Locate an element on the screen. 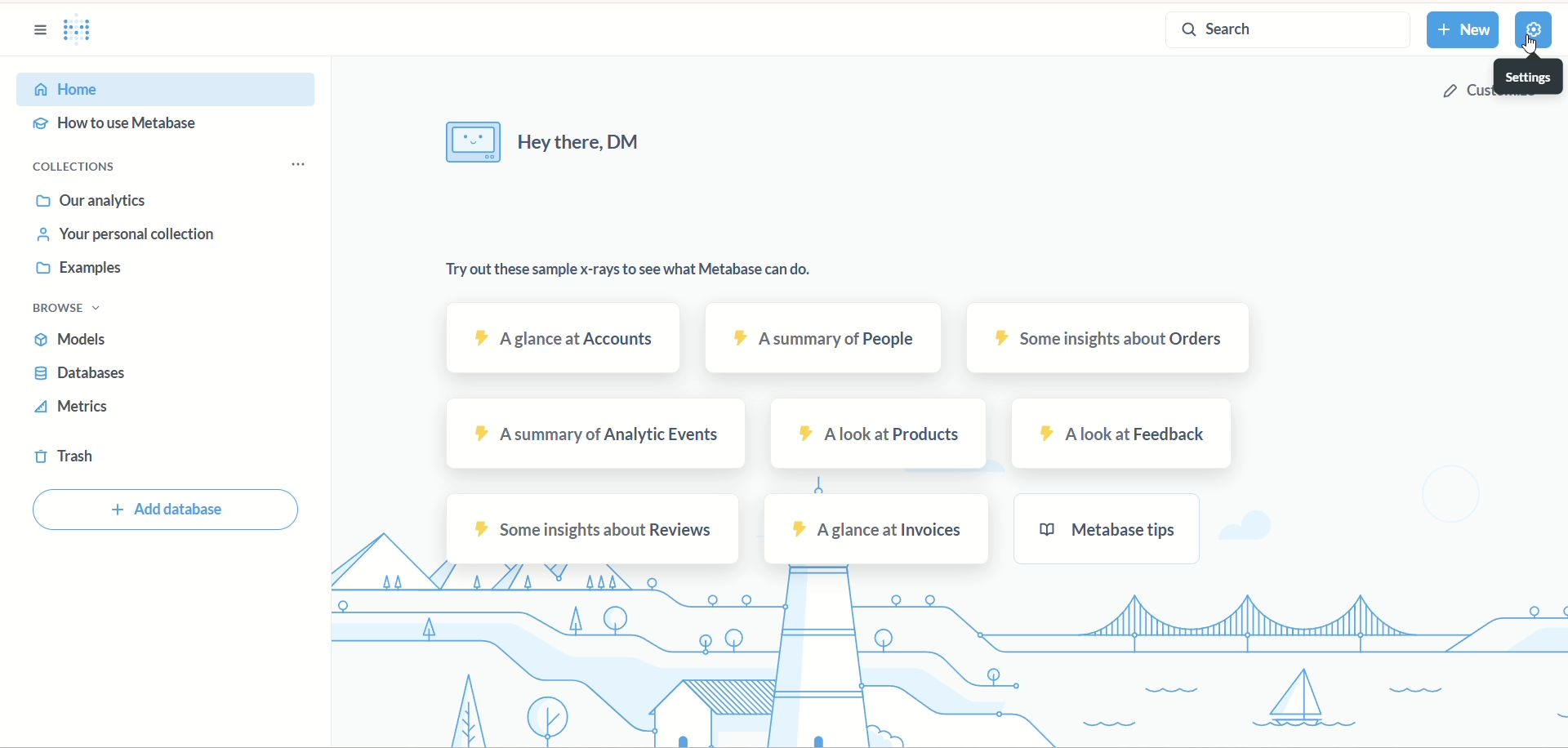 The image size is (1568, 748). text is located at coordinates (639, 274).